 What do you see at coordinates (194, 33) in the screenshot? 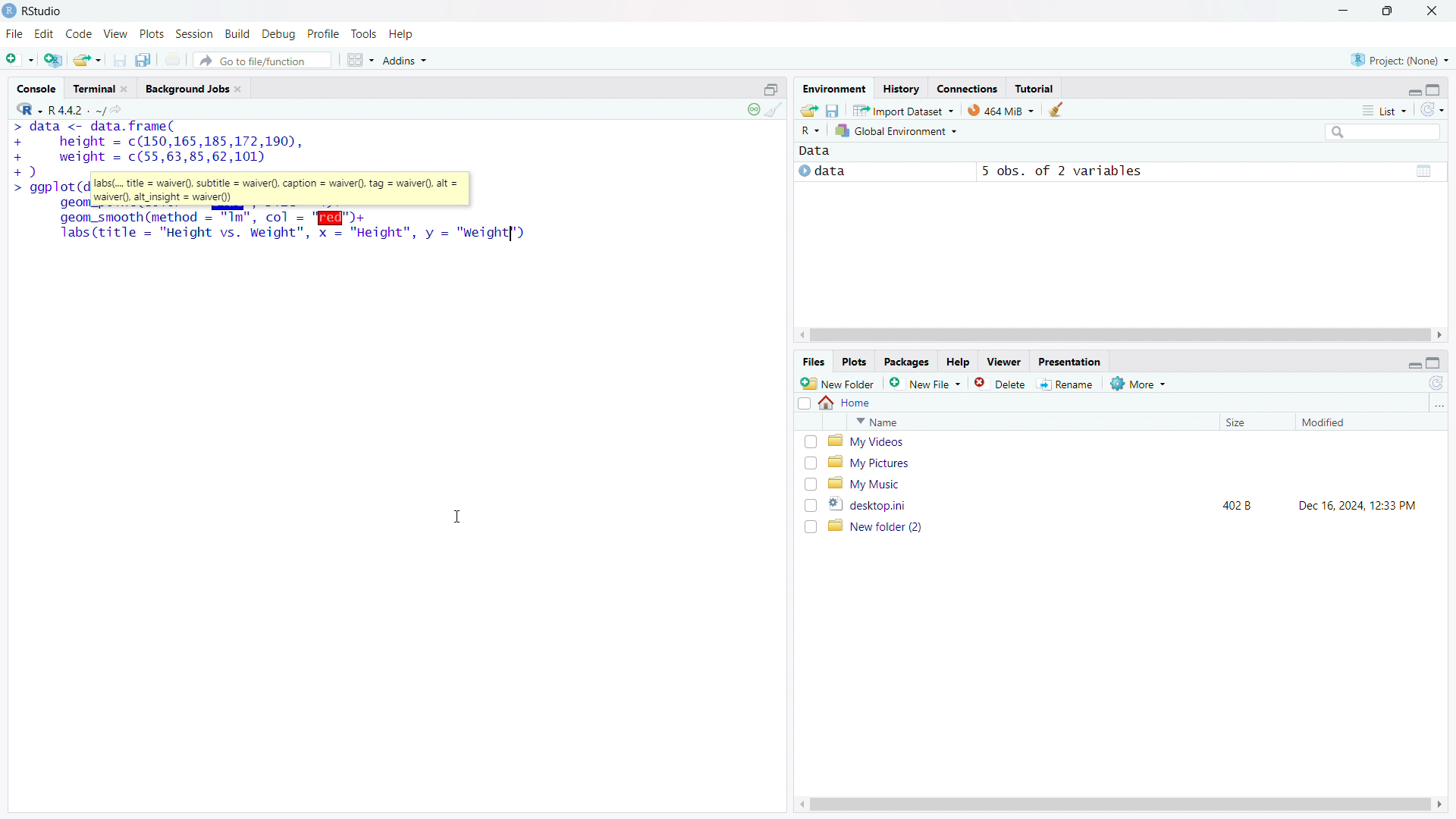
I see `session` at bounding box center [194, 33].